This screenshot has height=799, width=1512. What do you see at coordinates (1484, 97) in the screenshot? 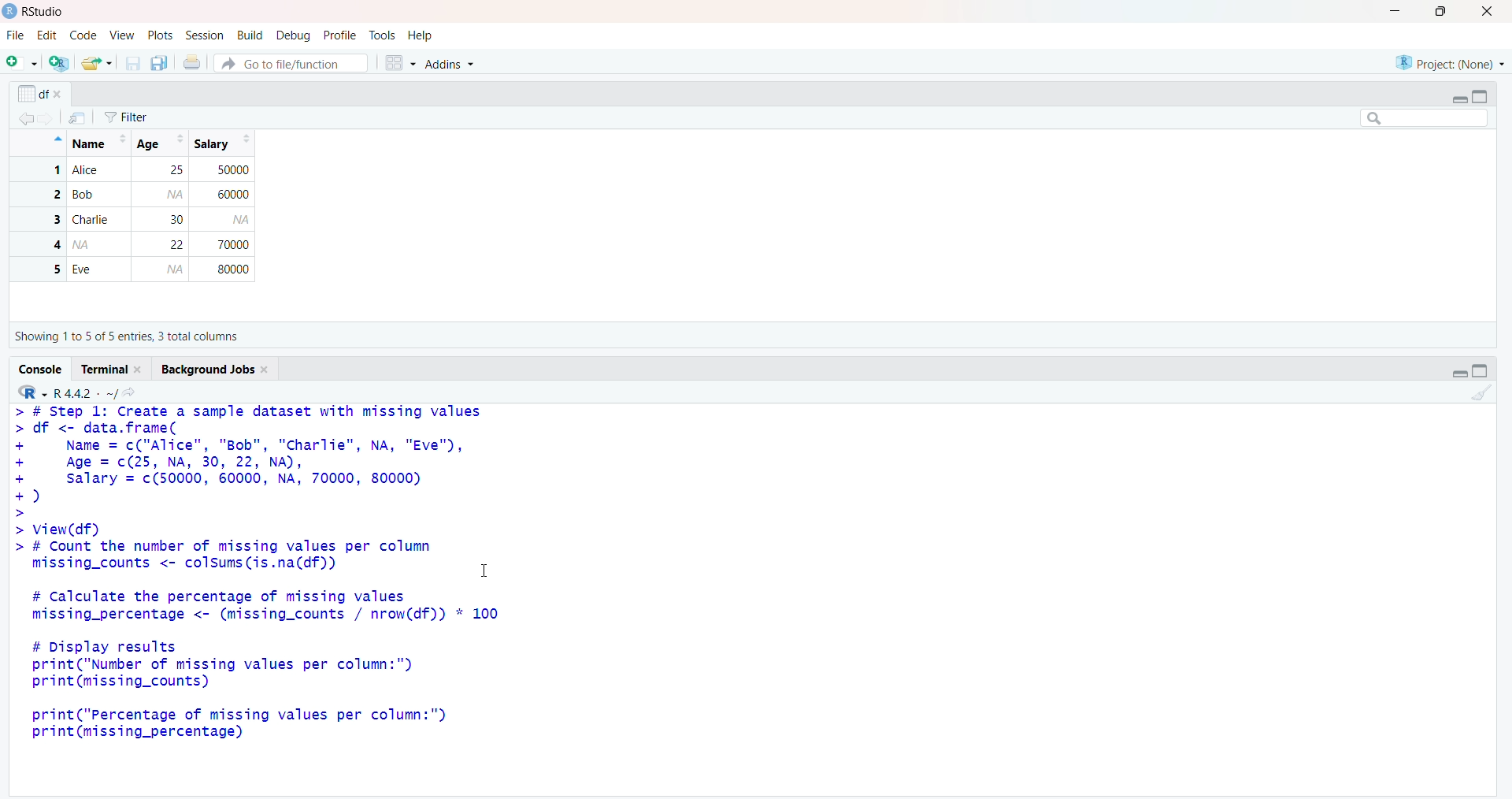
I see `Maximize` at bounding box center [1484, 97].